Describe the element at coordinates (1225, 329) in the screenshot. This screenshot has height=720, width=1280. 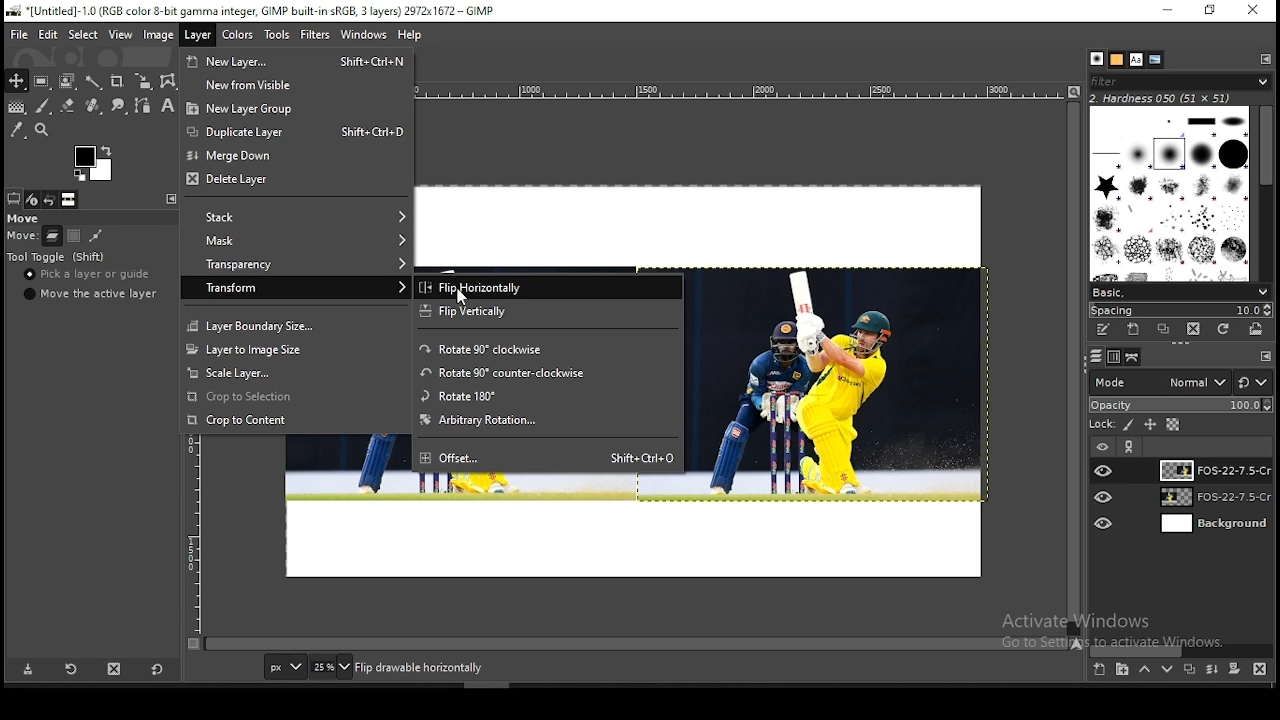
I see `refresh brushes` at that location.